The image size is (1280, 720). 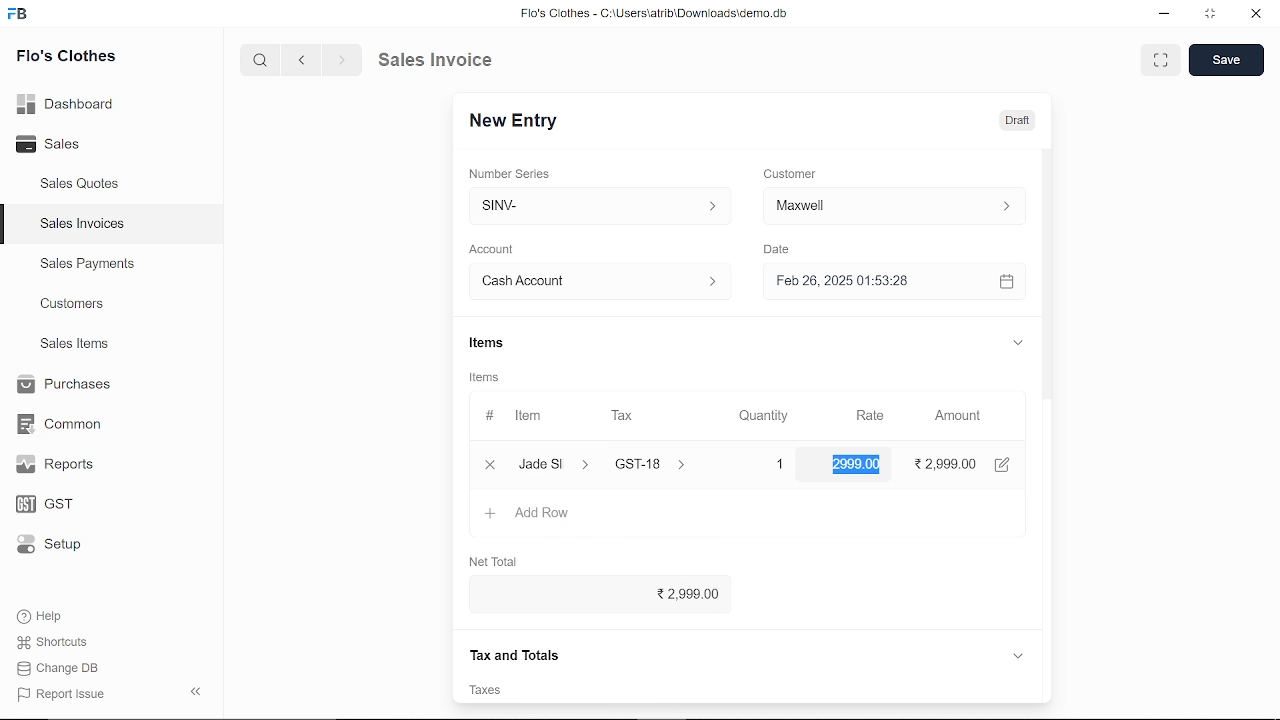 I want to click on 2,999.00, so click(x=948, y=463).